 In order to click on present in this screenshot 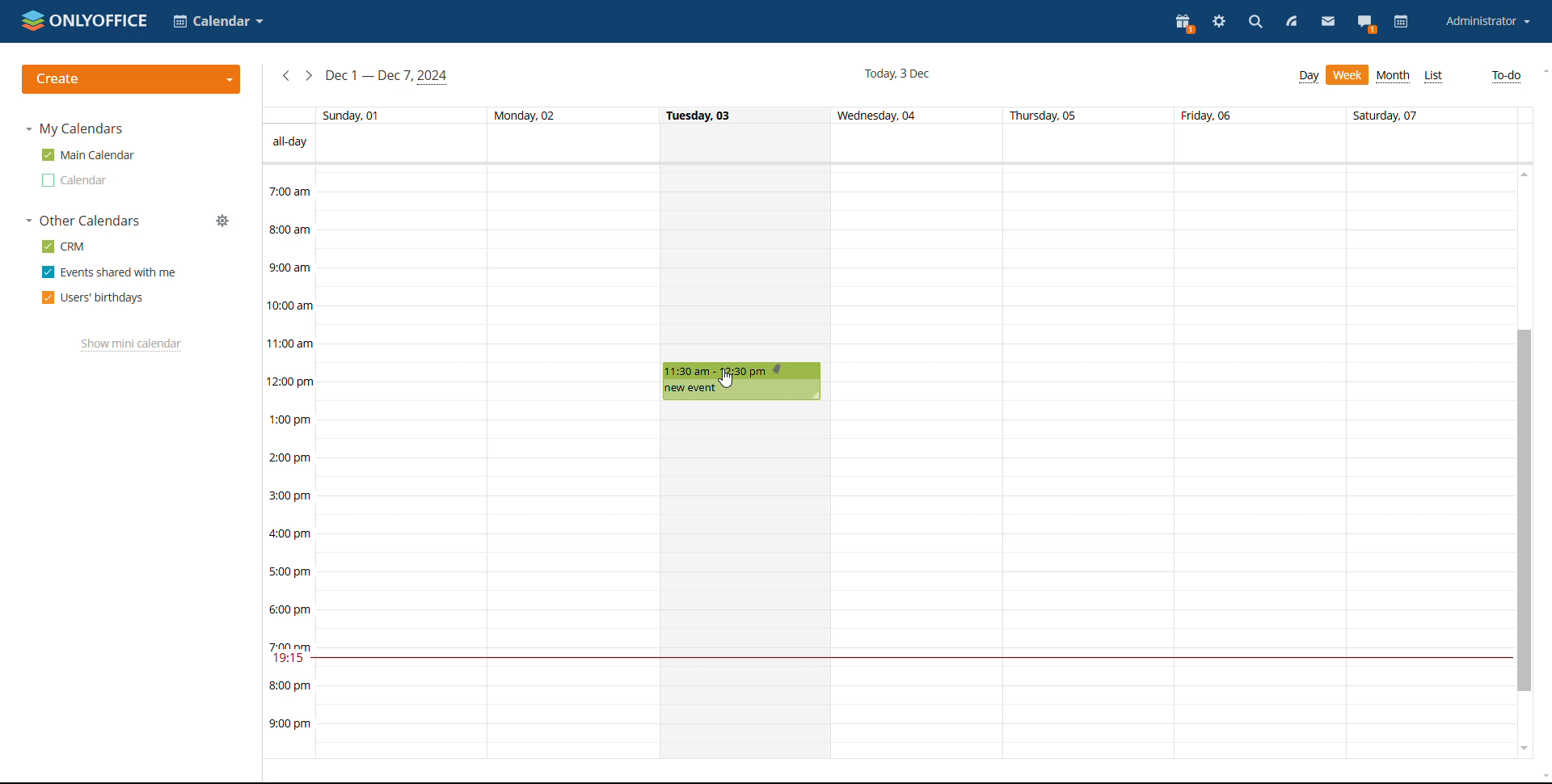, I will do `click(1185, 23)`.